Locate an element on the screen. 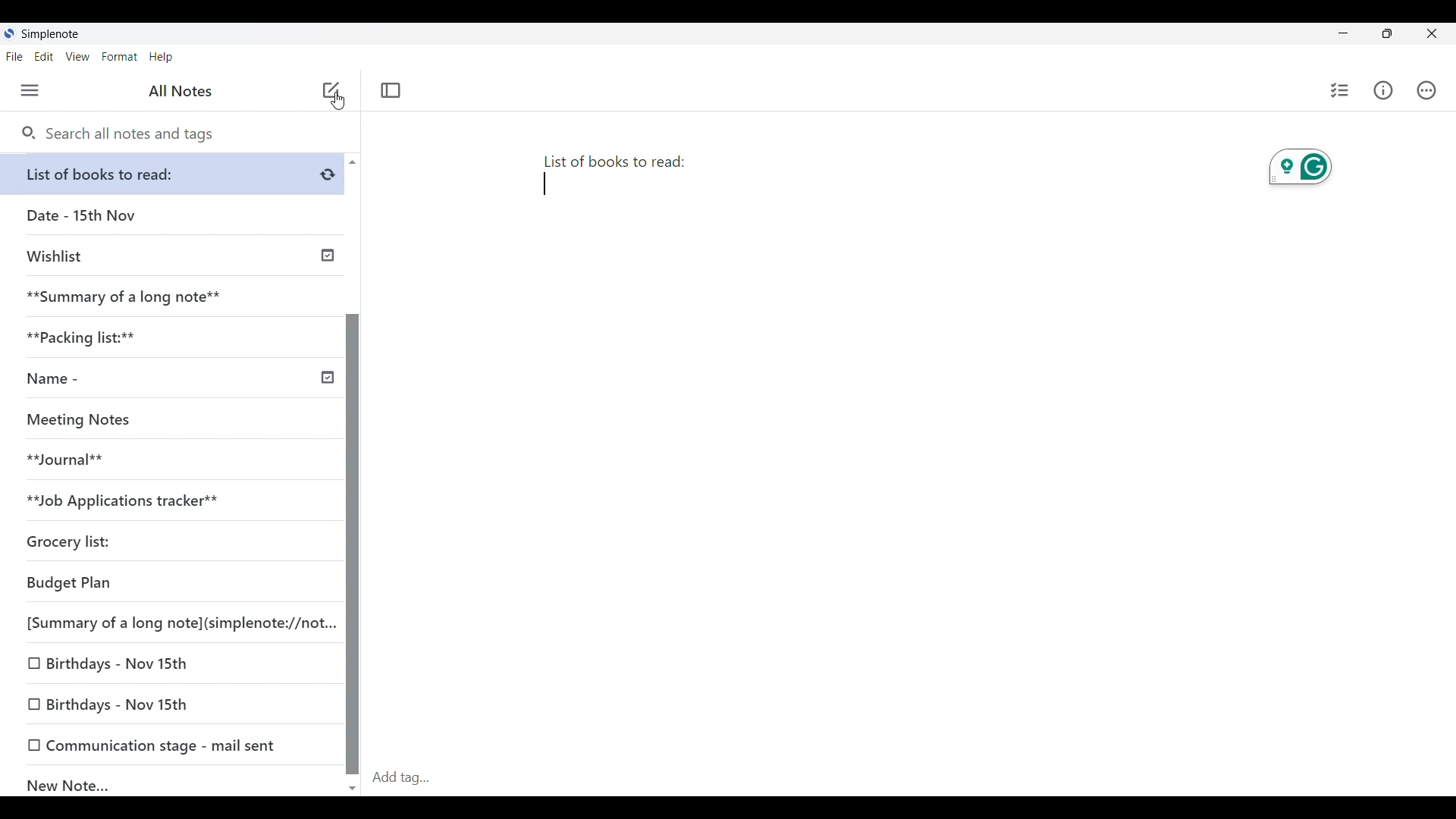 This screenshot has height=819, width=1456. File is located at coordinates (14, 57).